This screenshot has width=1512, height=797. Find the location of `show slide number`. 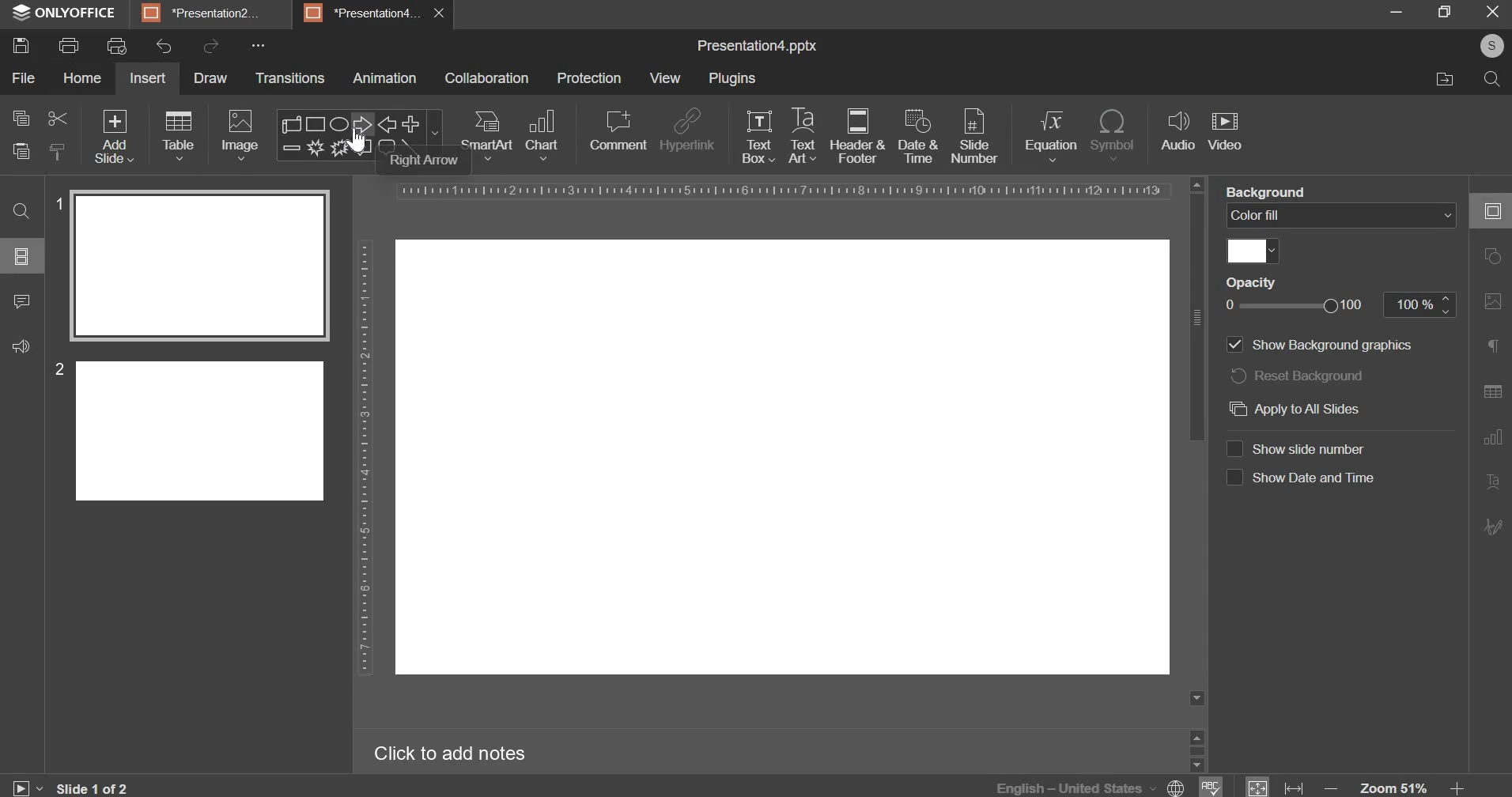

show slide number is located at coordinates (1236, 448).